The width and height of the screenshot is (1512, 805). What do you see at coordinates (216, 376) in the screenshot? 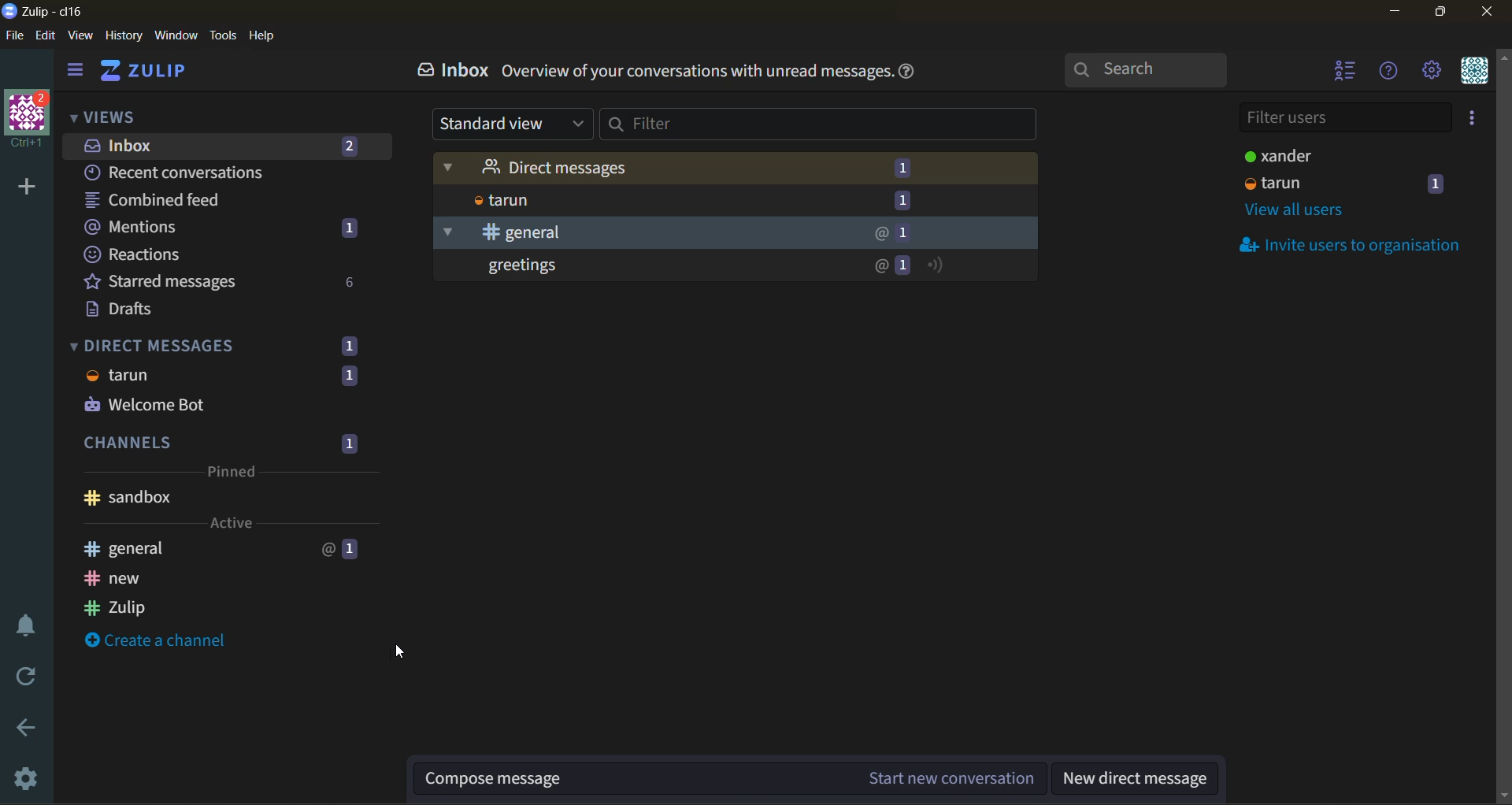
I see `tarun` at bounding box center [216, 376].